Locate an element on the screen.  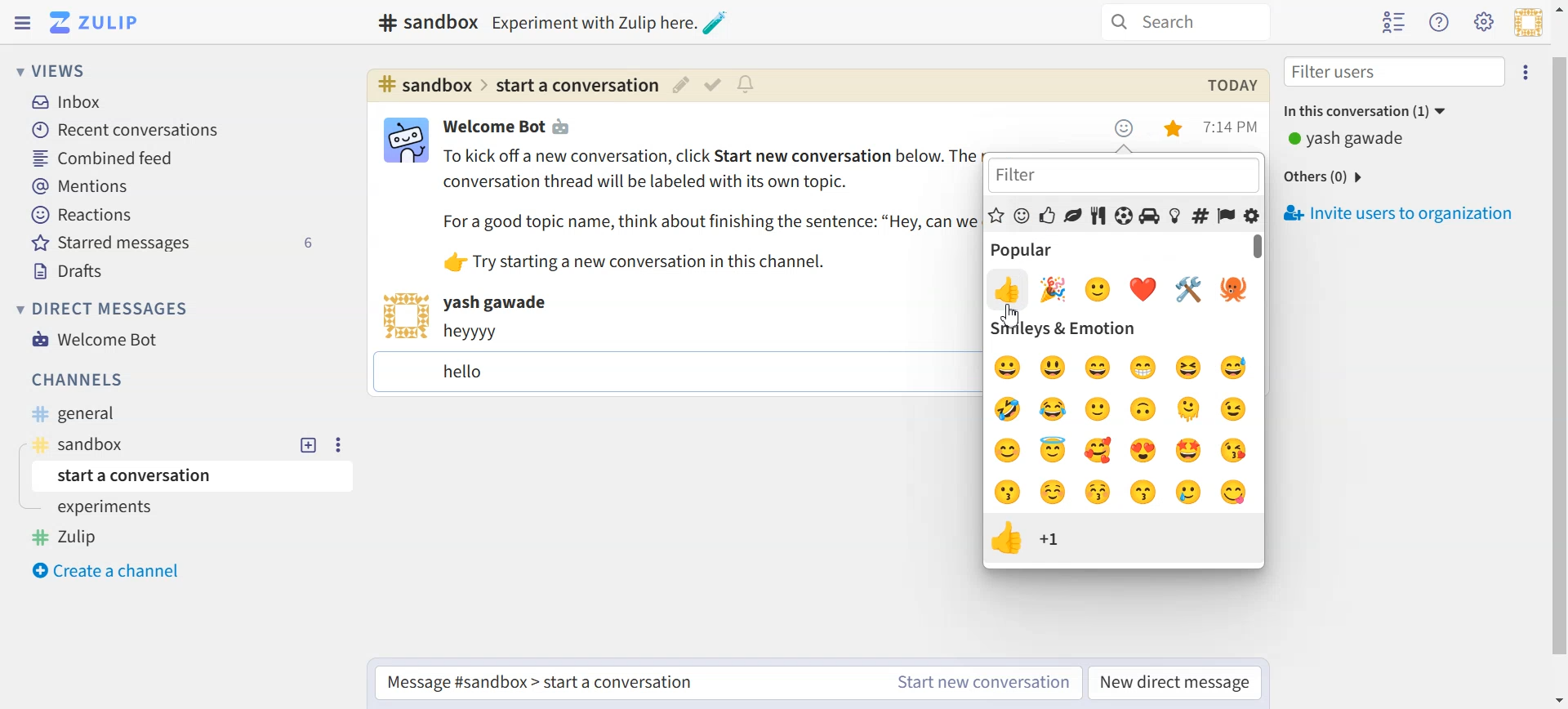
Starred messages is located at coordinates (177, 242).